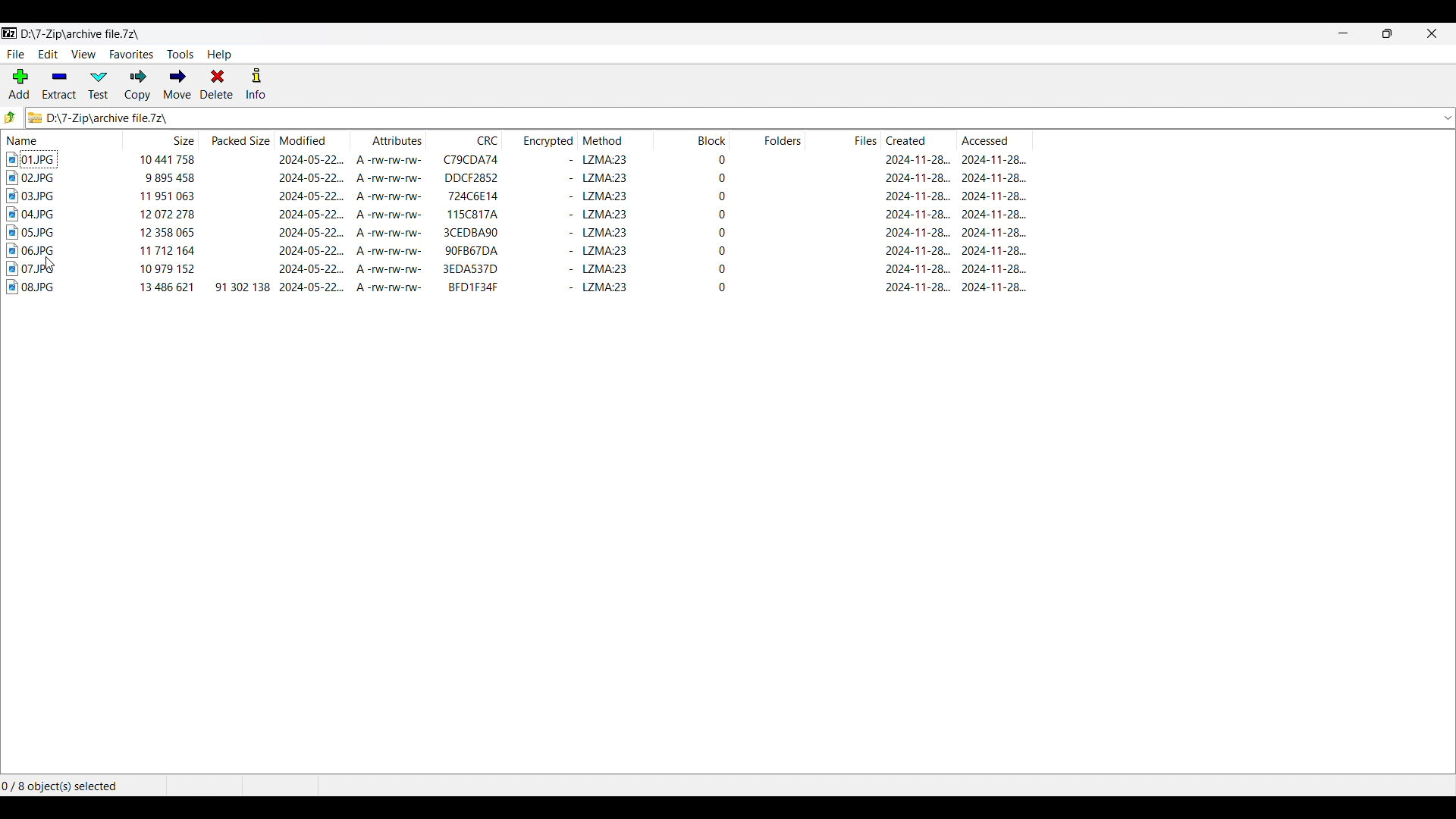 This screenshot has height=819, width=1456. Describe the element at coordinates (312, 139) in the screenshot. I see `Modified column` at that location.